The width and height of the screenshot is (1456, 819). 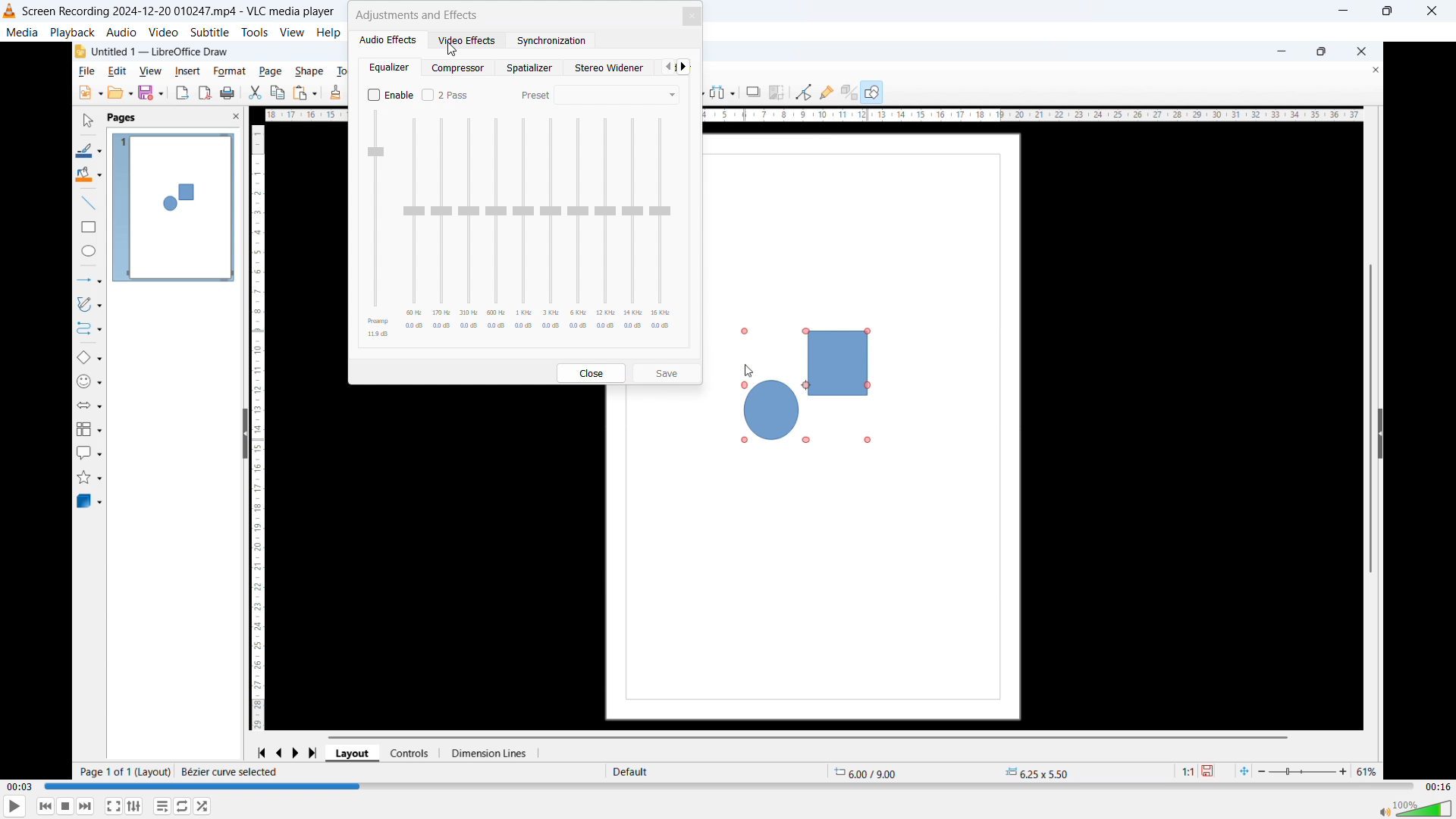 I want to click on Video duration , so click(x=1436, y=786).